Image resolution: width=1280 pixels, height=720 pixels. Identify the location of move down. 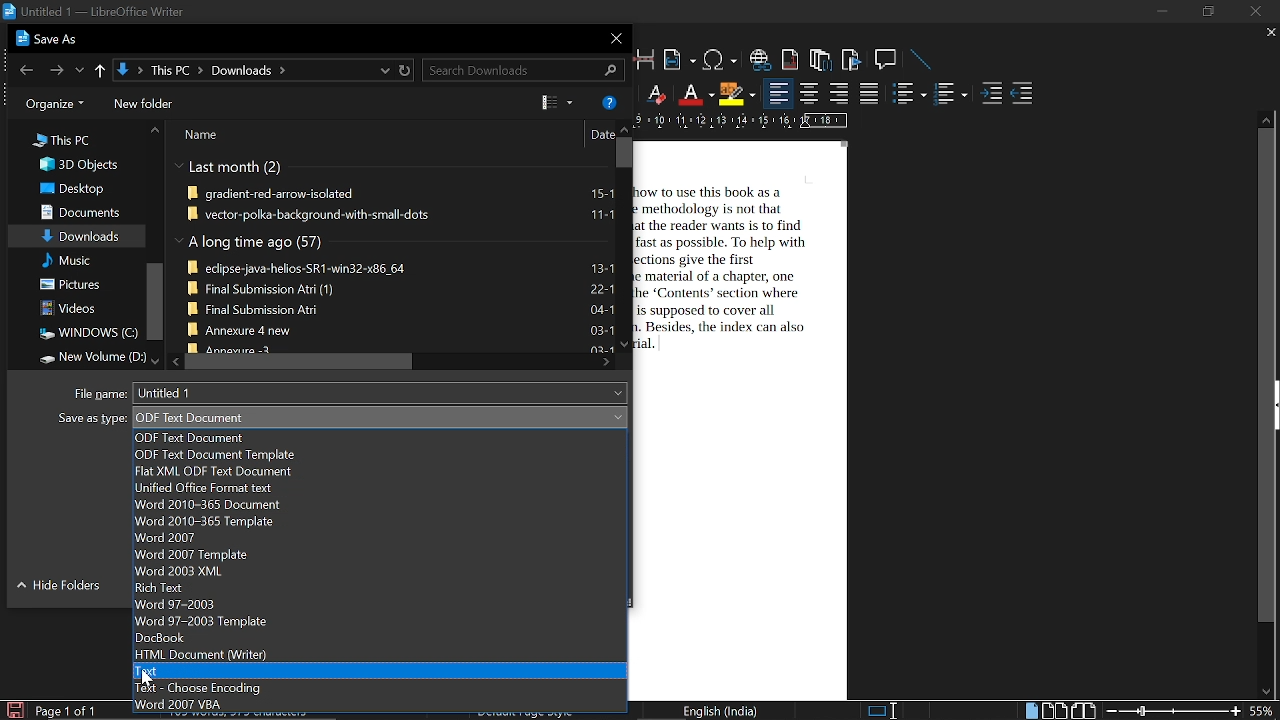
(150, 359).